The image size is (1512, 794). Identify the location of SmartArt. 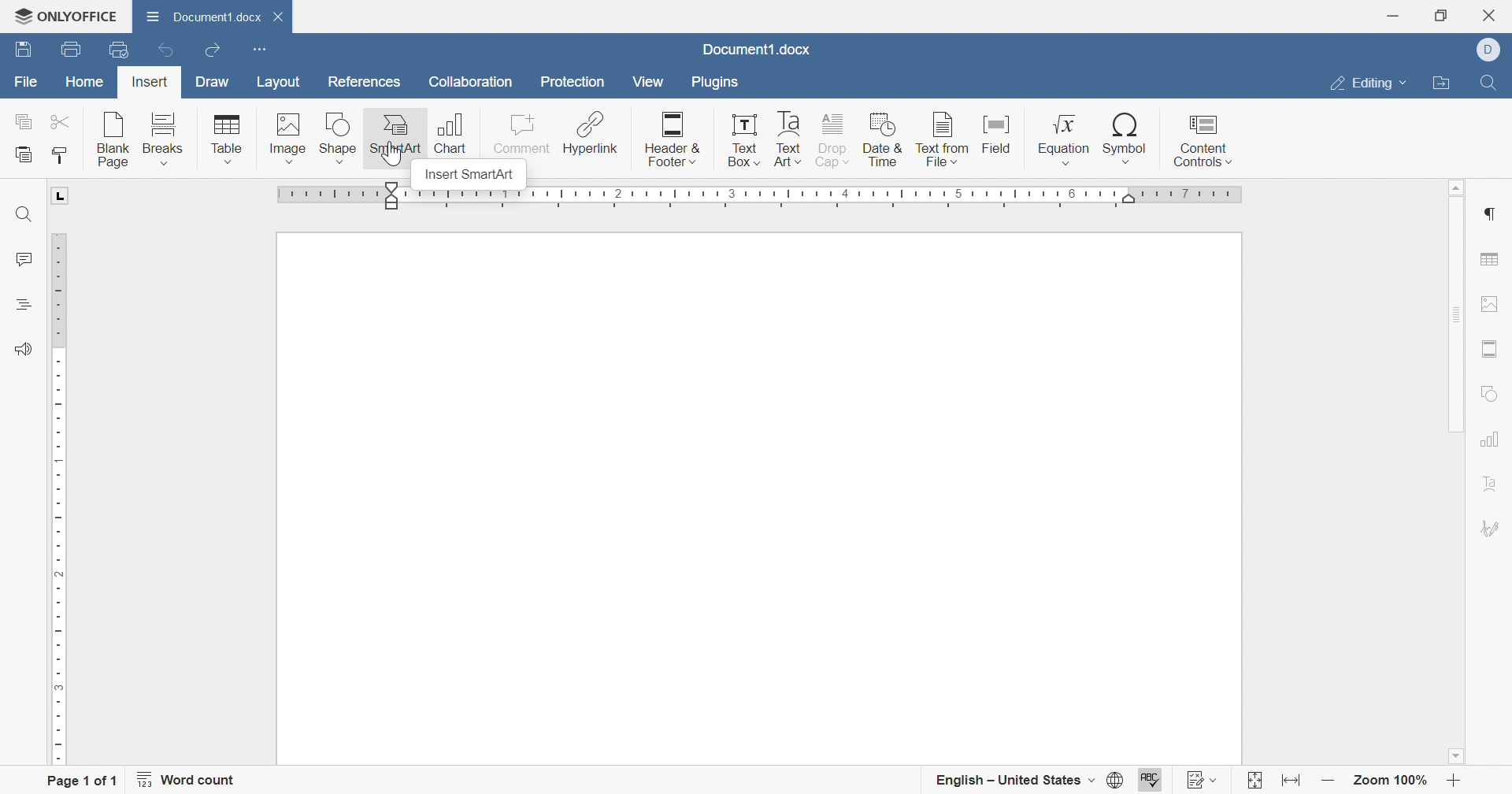
(396, 137).